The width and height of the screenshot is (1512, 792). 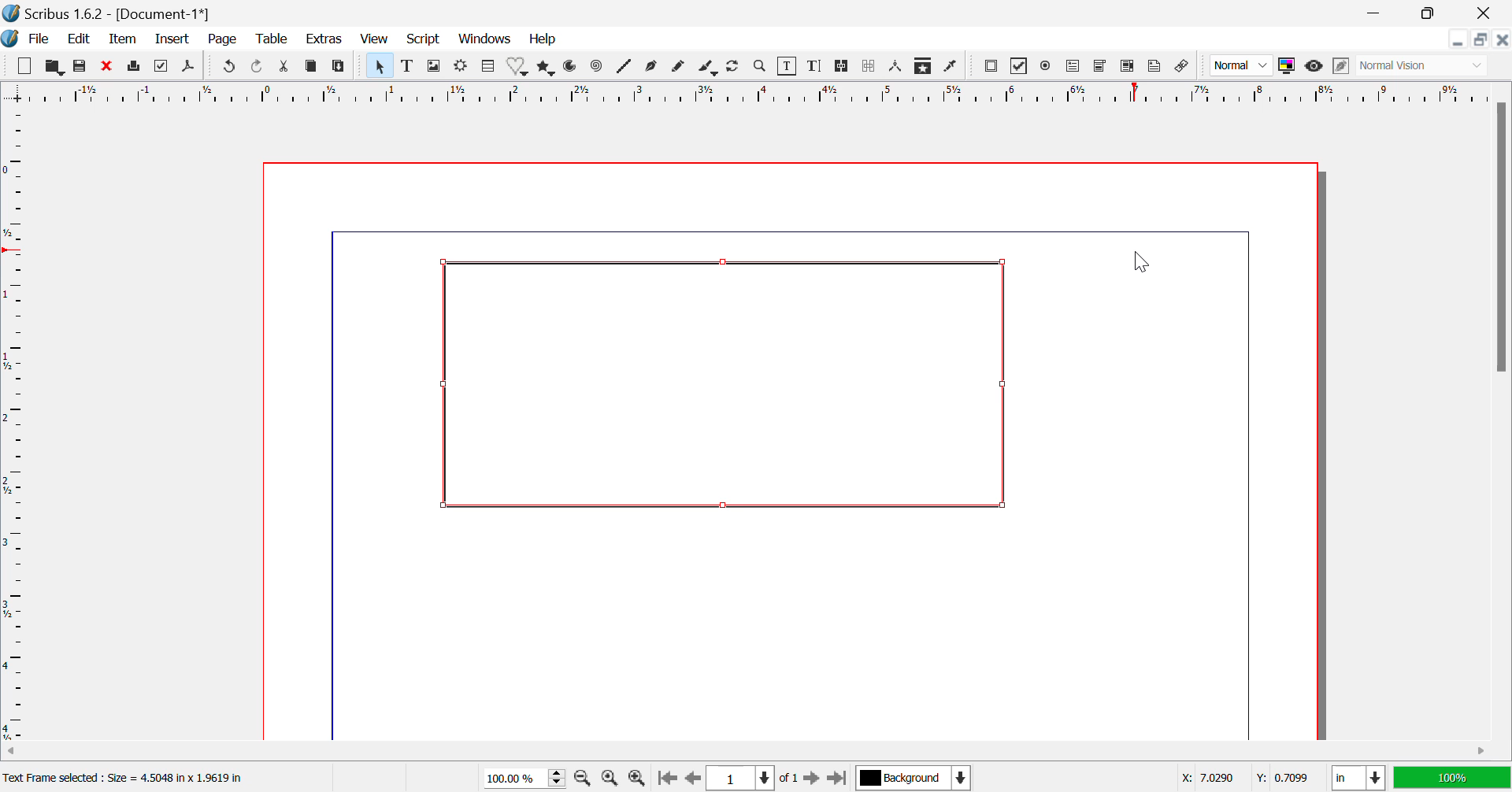 I want to click on Link annotation, so click(x=1185, y=67).